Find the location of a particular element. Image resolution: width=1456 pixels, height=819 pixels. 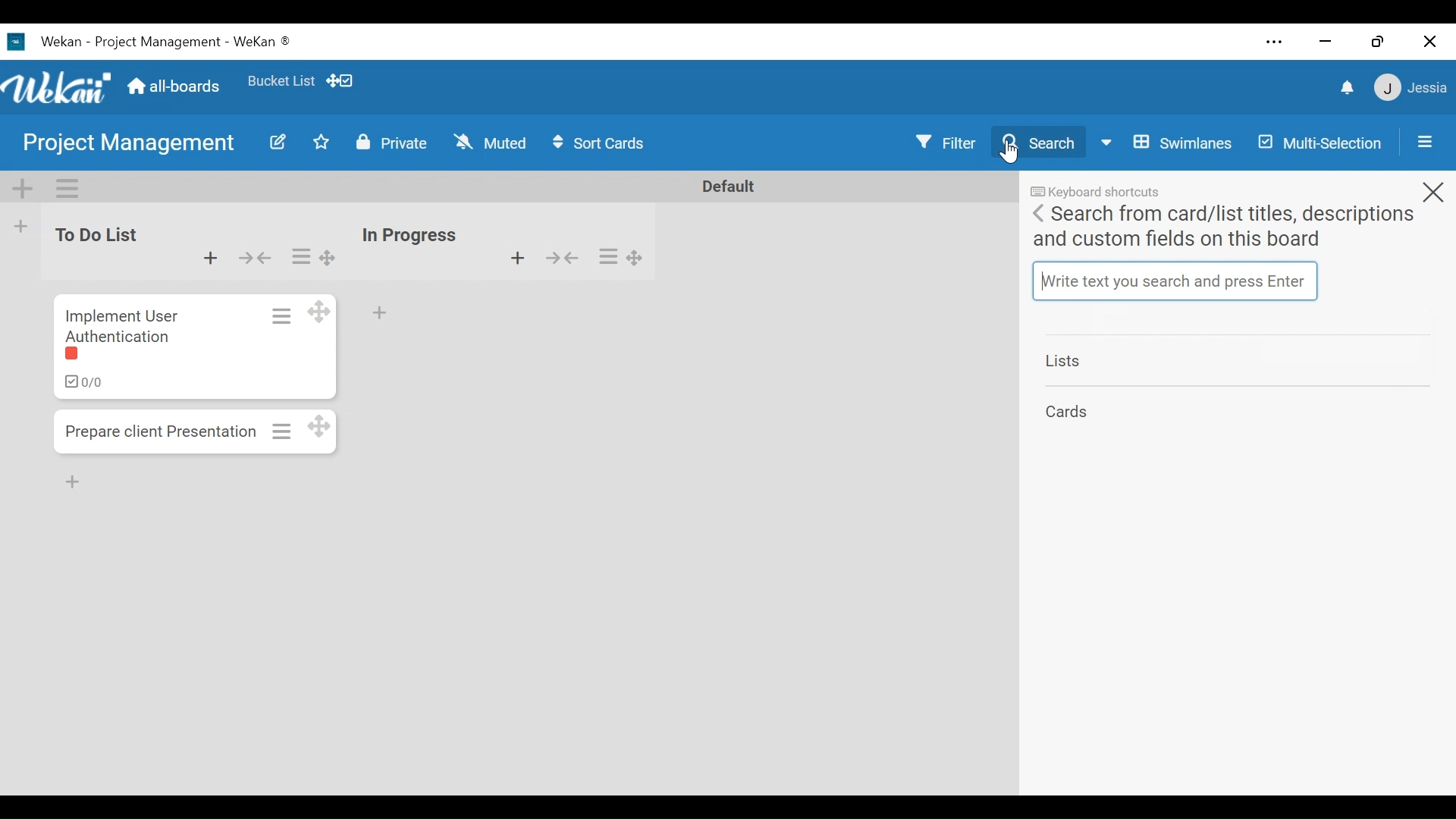

Write text you search and press enter is located at coordinates (1178, 281).